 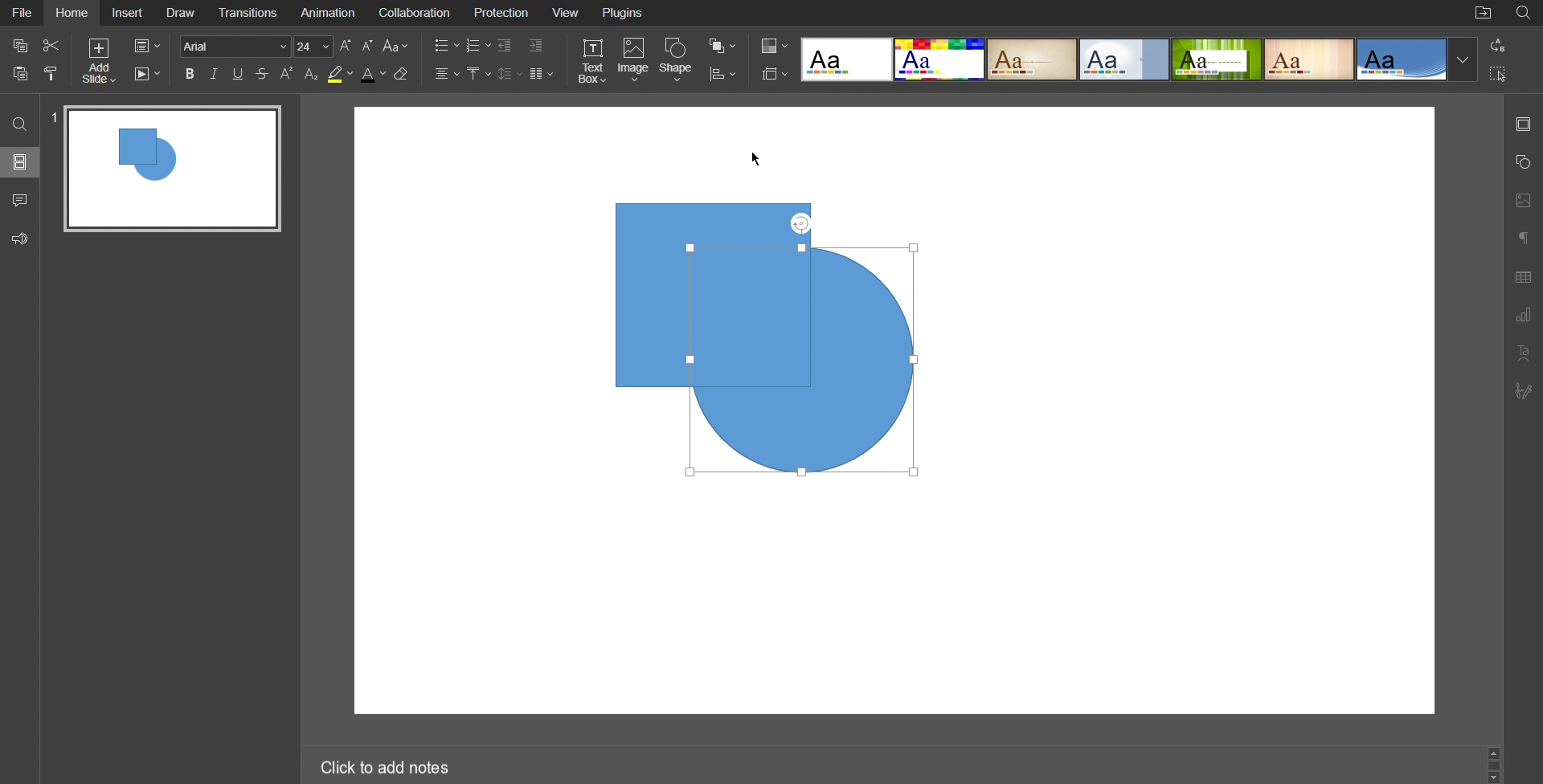 What do you see at coordinates (366, 46) in the screenshot?
I see `Decrease Font` at bounding box center [366, 46].